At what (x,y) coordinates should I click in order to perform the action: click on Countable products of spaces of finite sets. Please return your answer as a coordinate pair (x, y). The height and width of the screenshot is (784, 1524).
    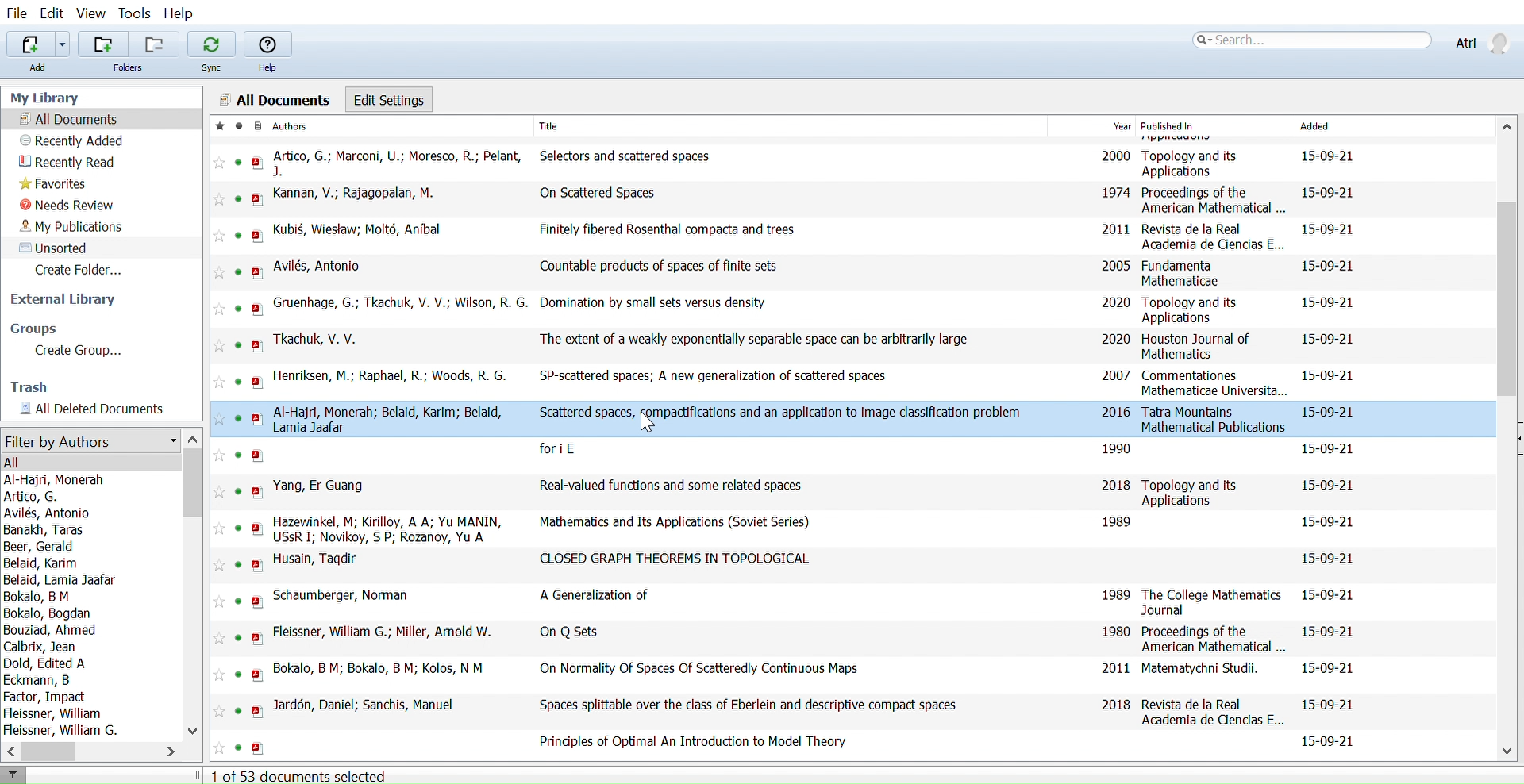
    Looking at the image, I should click on (658, 267).